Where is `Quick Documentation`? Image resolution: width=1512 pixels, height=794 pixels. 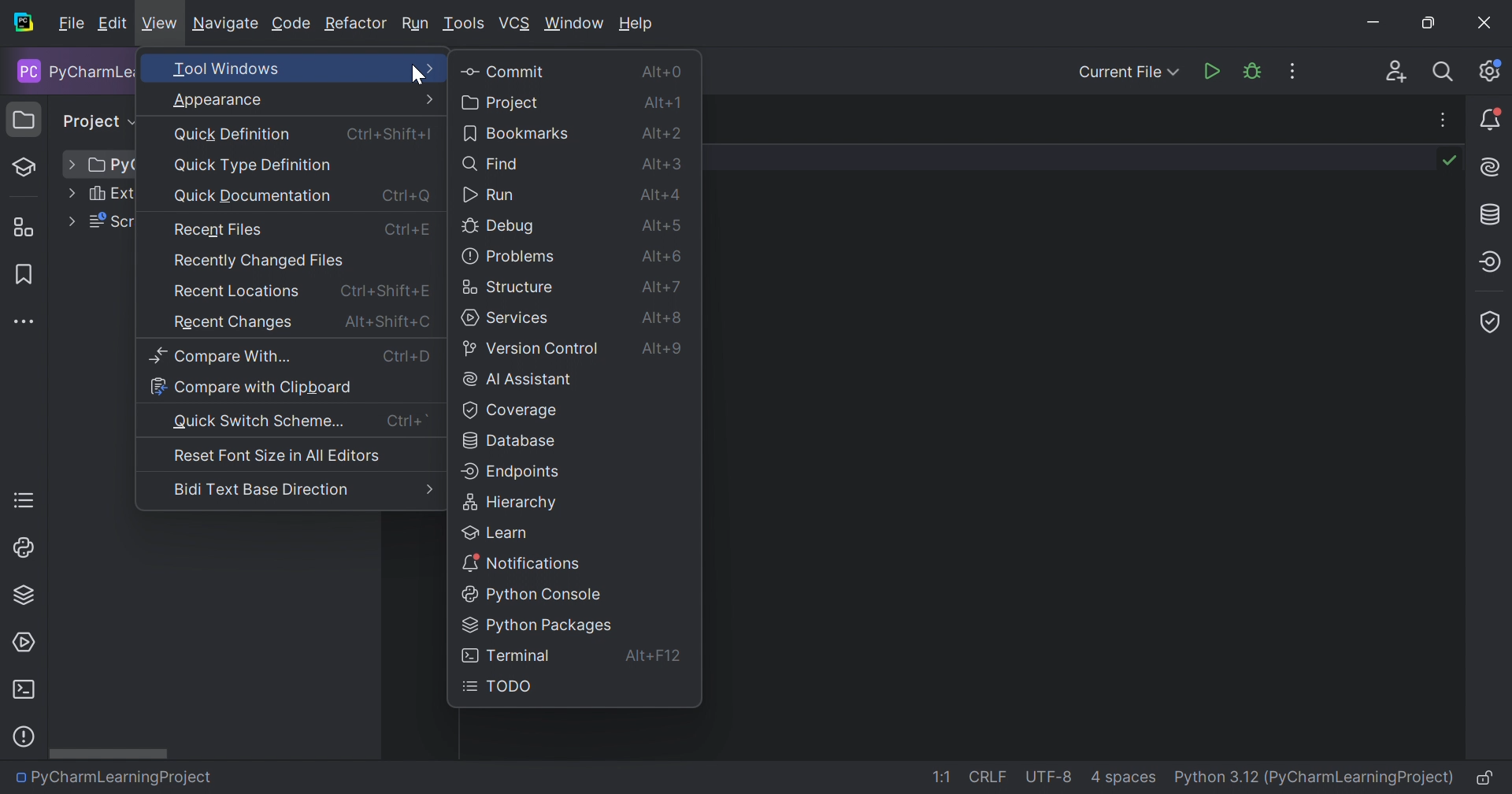
Quick Documentation is located at coordinates (251, 197).